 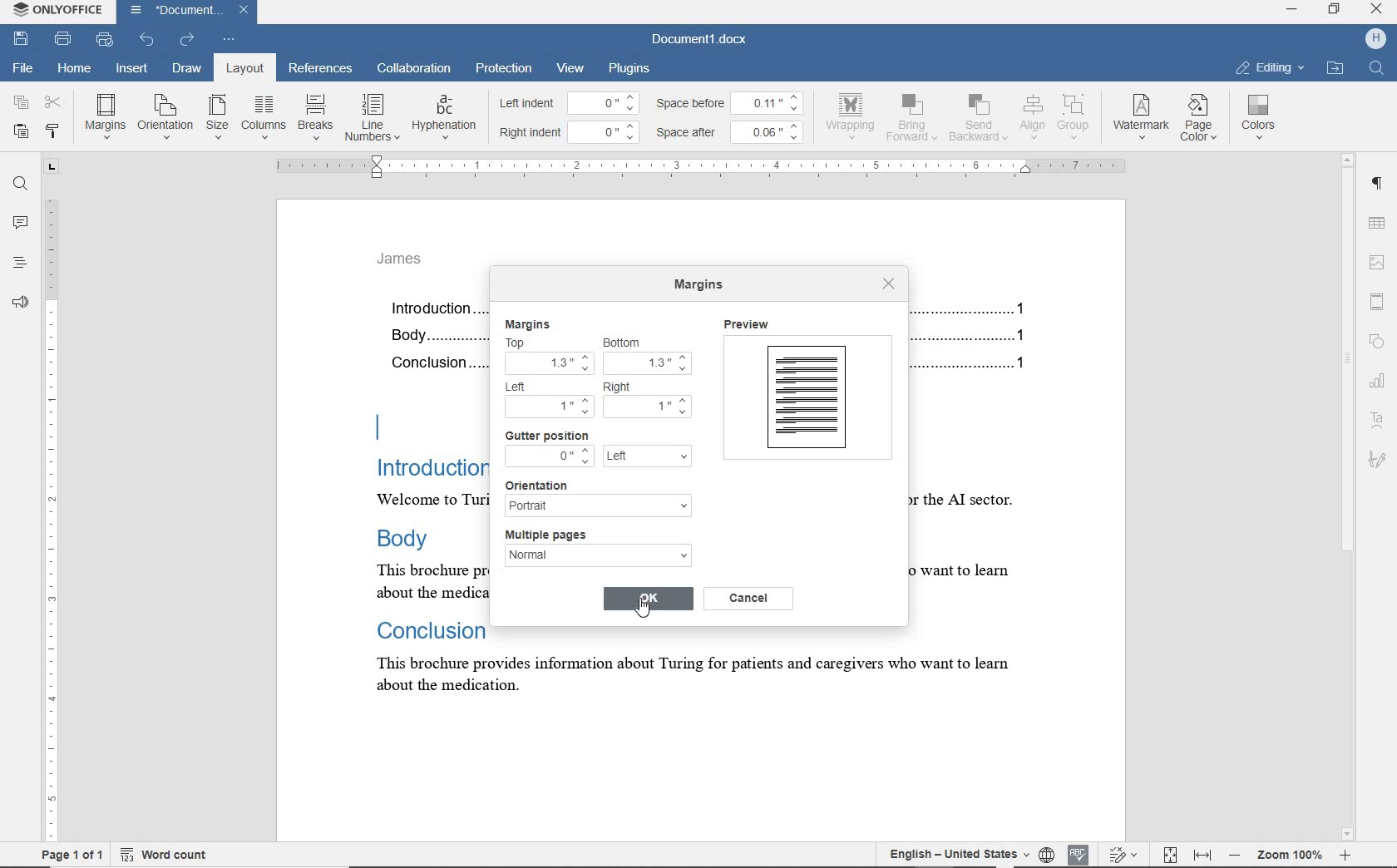 What do you see at coordinates (771, 131) in the screenshot?
I see `0.06` at bounding box center [771, 131].